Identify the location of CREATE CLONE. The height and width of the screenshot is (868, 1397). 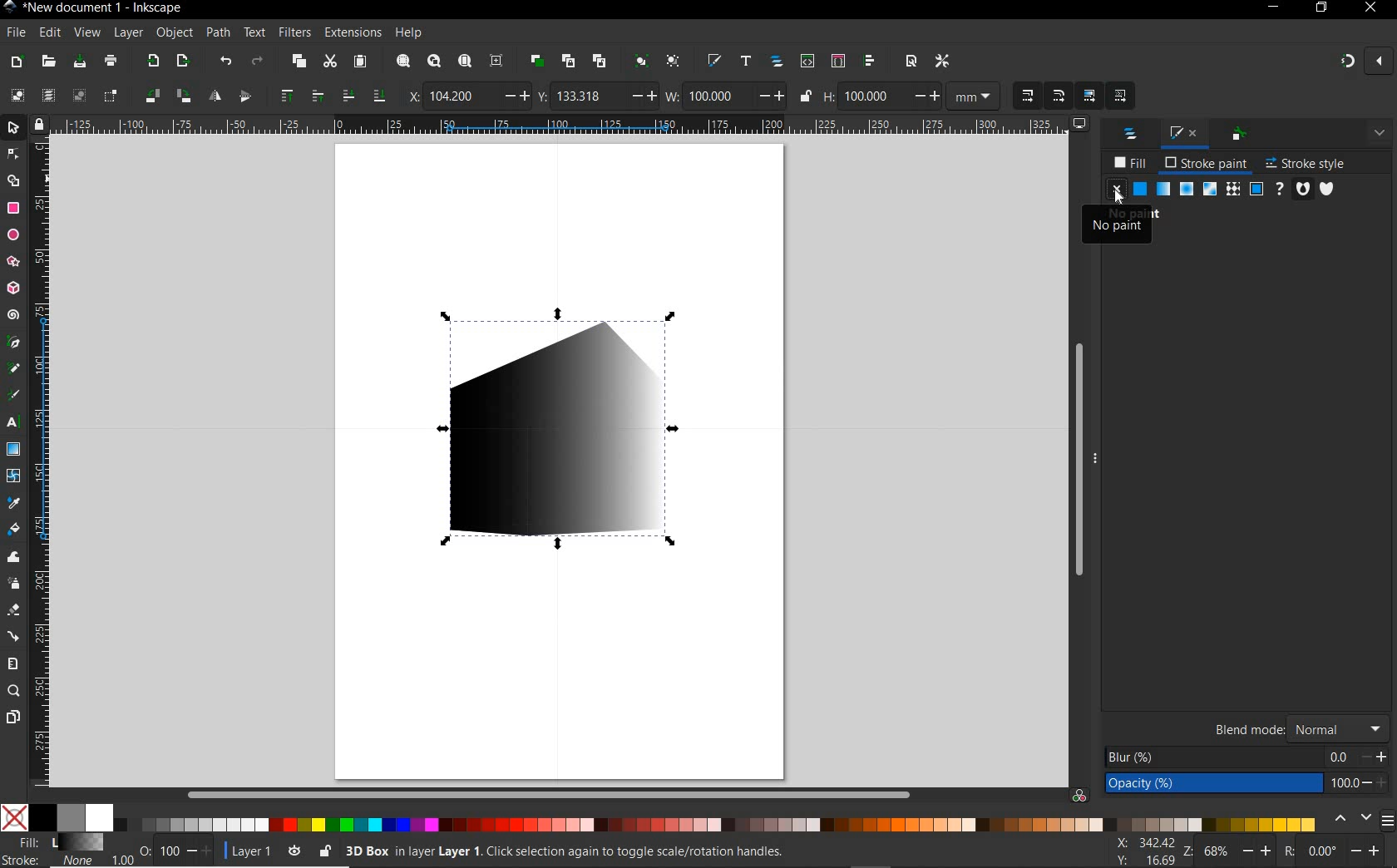
(569, 60).